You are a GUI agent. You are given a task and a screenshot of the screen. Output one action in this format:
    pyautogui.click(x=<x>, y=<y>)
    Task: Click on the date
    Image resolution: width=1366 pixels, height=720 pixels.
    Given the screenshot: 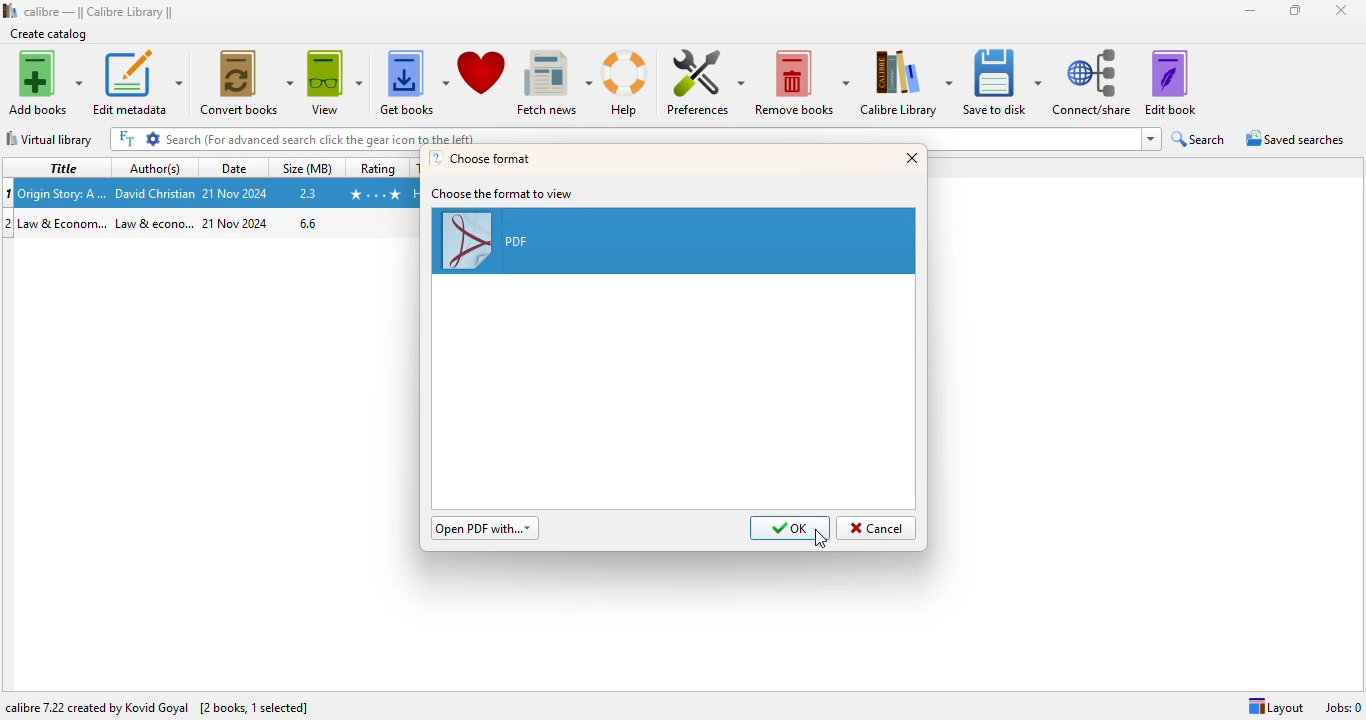 What is the action you would take?
    pyautogui.click(x=237, y=223)
    